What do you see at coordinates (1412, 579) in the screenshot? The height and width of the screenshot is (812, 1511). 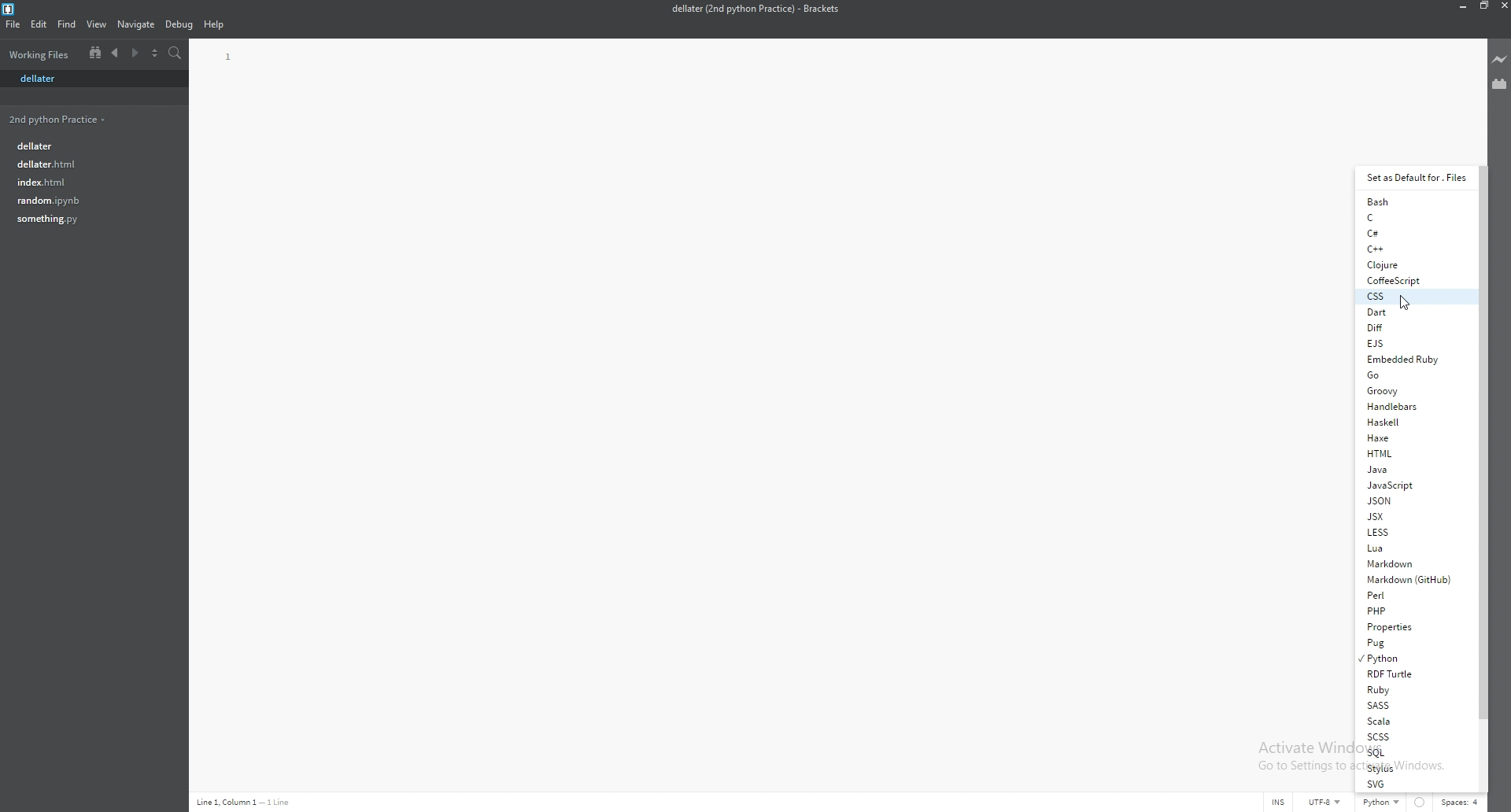 I see `markdown(github)` at bounding box center [1412, 579].